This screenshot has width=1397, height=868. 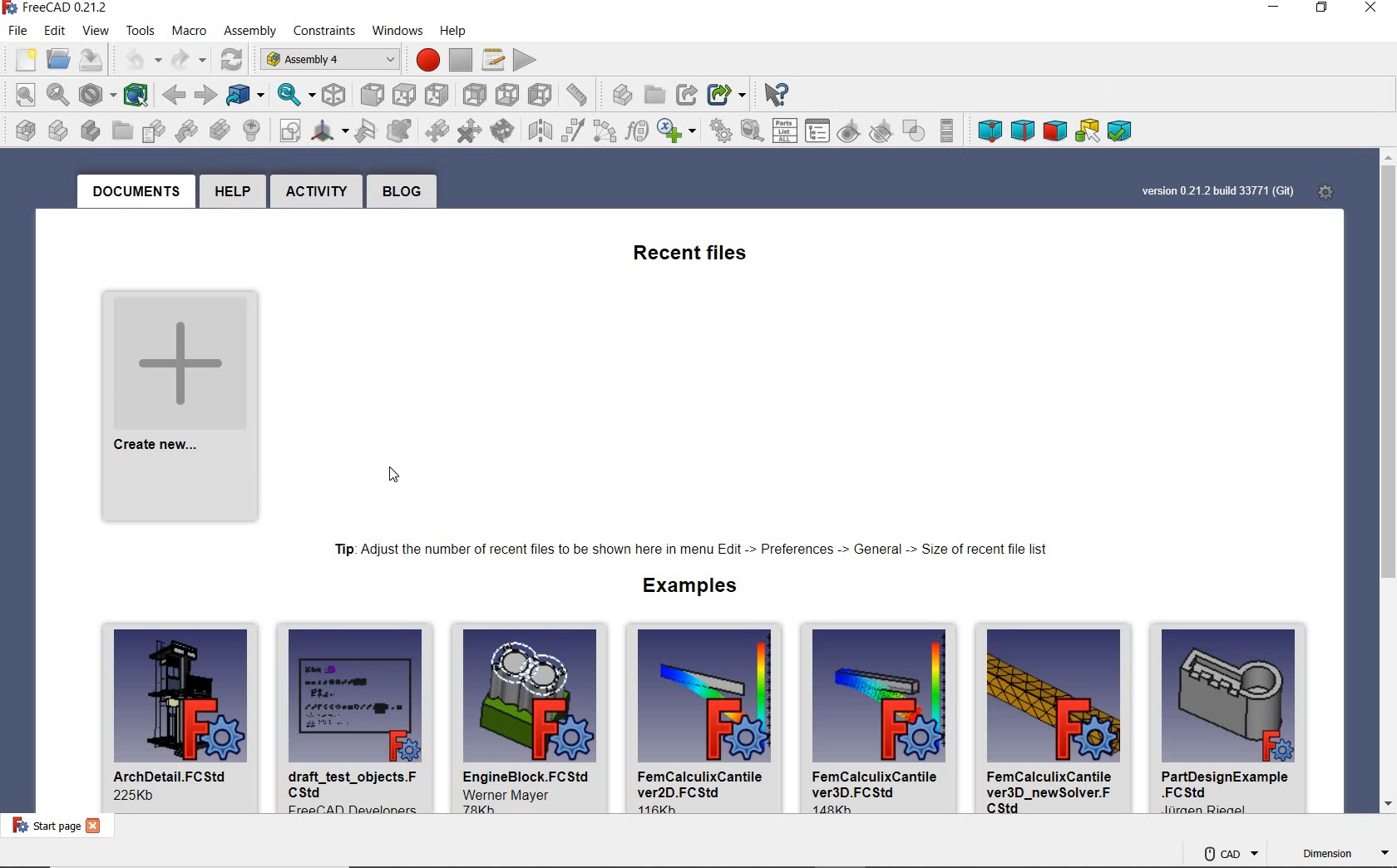 What do you see at coordinates (394, 28) in the screenshot?
I see `windows` at bounding box center [394, 28].